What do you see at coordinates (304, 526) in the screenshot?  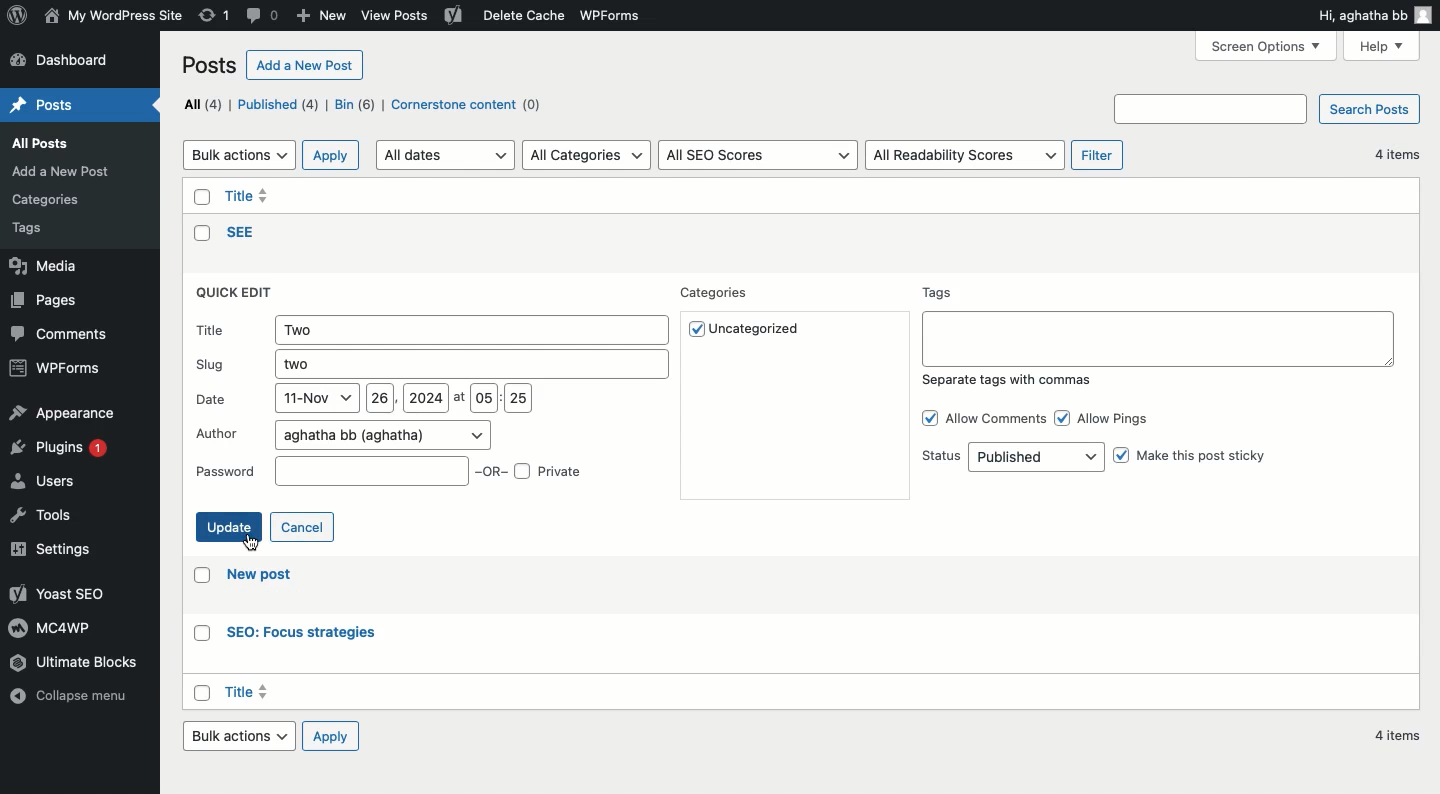 I see `Cancel` at bounding box center [304, 526].